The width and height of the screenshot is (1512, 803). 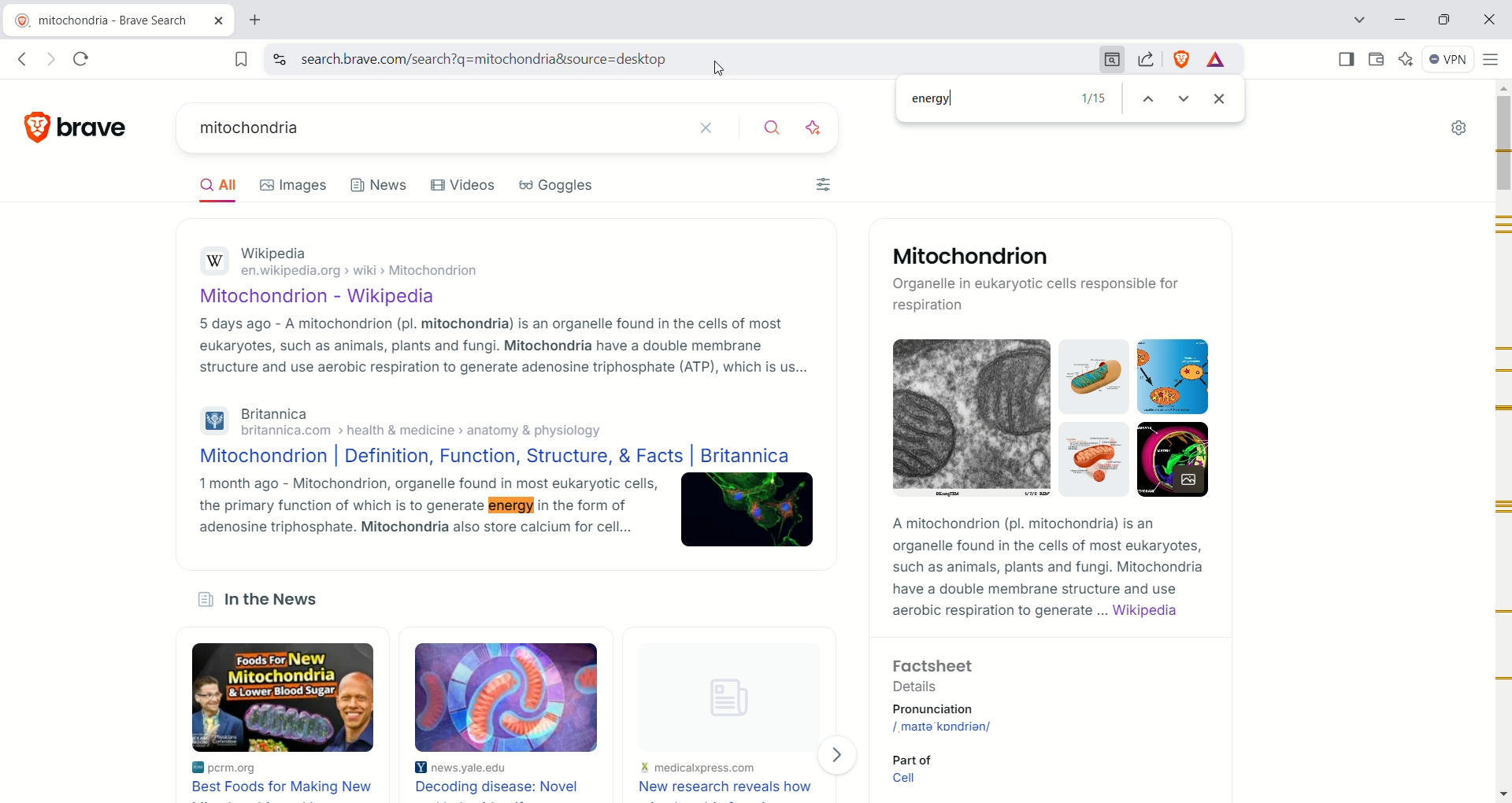 I want to click on VPN, so click(x=1452, y=61).